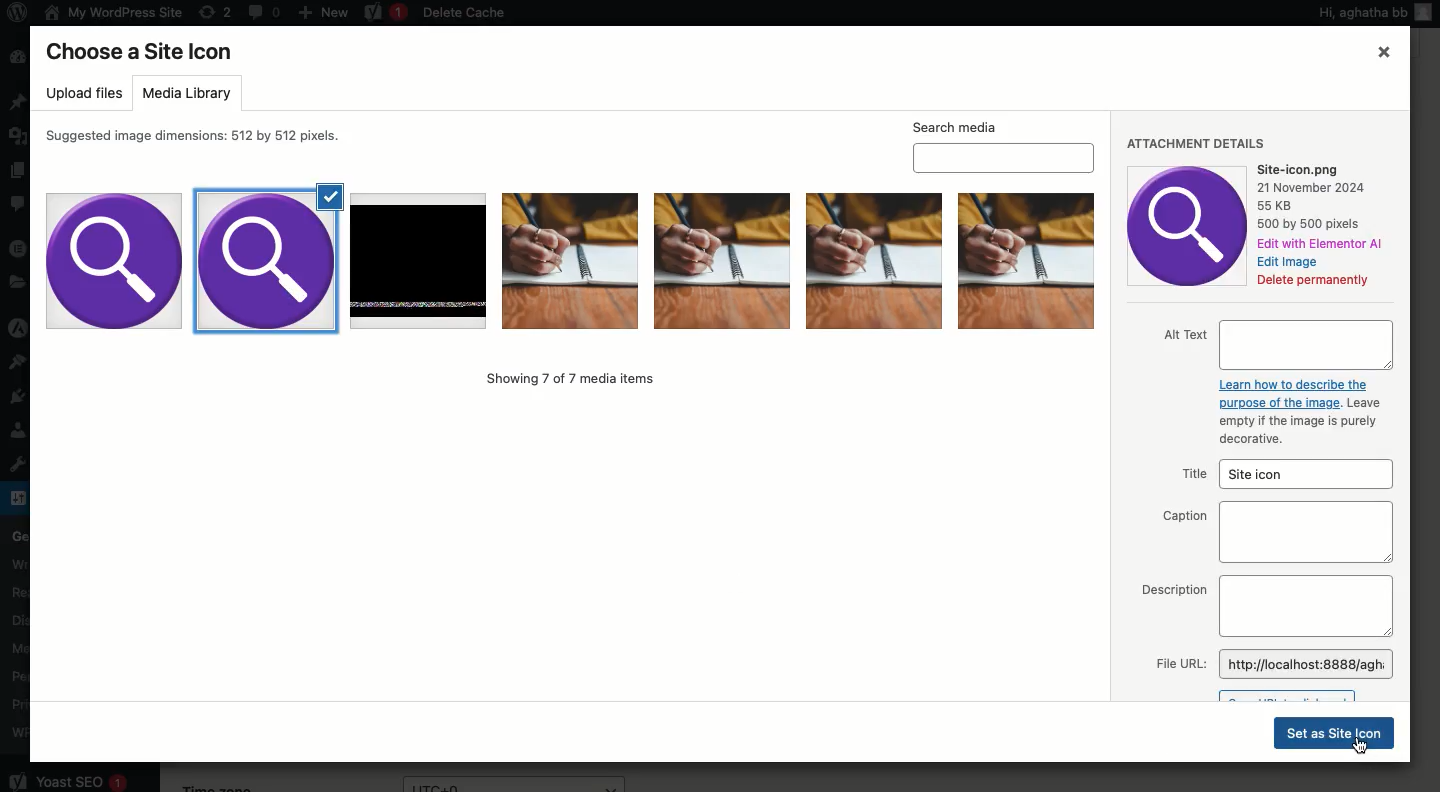 Image resolution: width=1440 pixels, height=792 pixels. What do you see at coordinates (1312, 282) in the screenshot?
I see `Delete permanently` at bounding box center [1312, 282].